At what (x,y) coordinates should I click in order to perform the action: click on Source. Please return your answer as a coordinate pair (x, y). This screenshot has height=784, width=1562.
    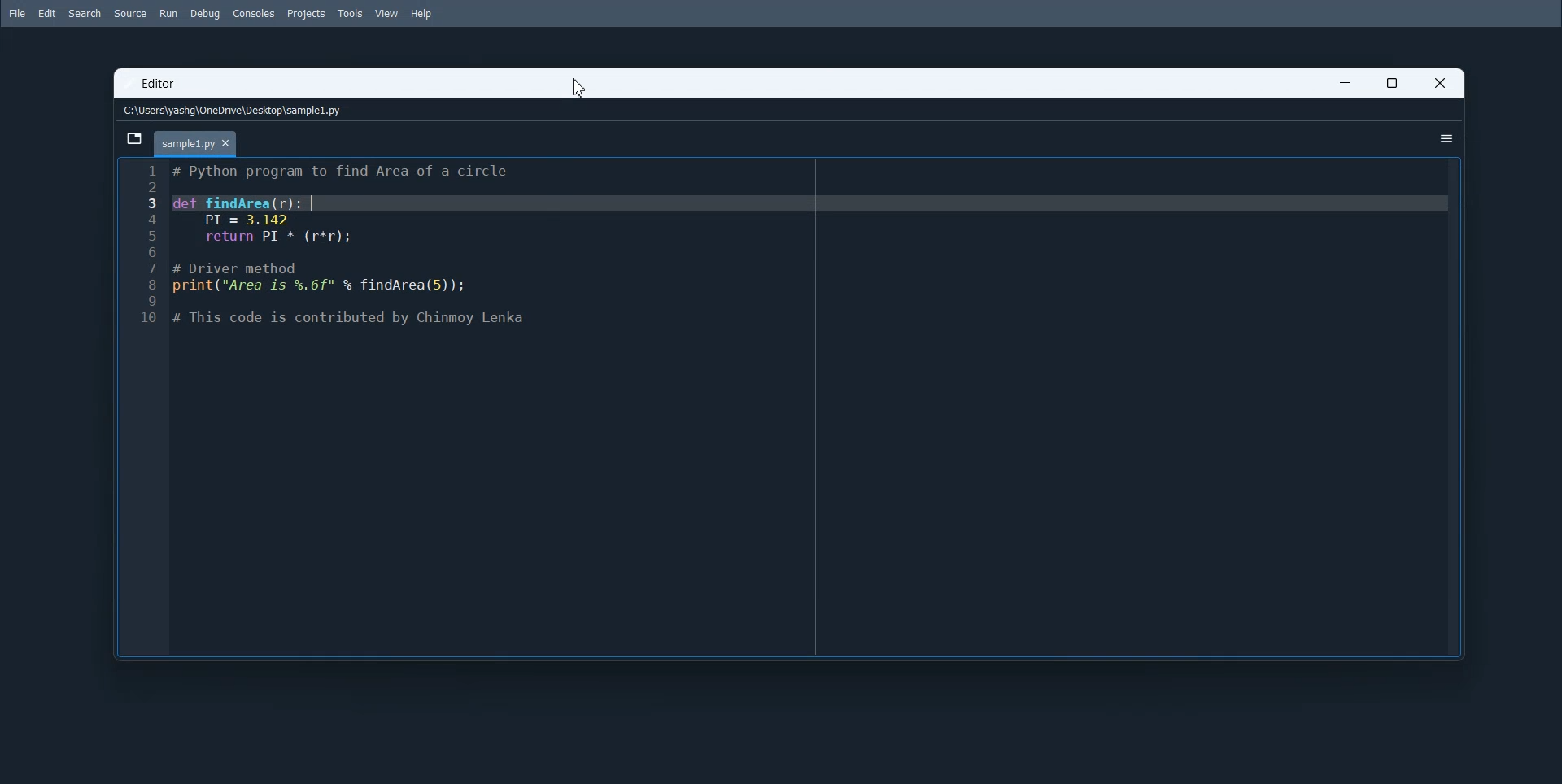
    Looking at the image, I should click on (131, 14).